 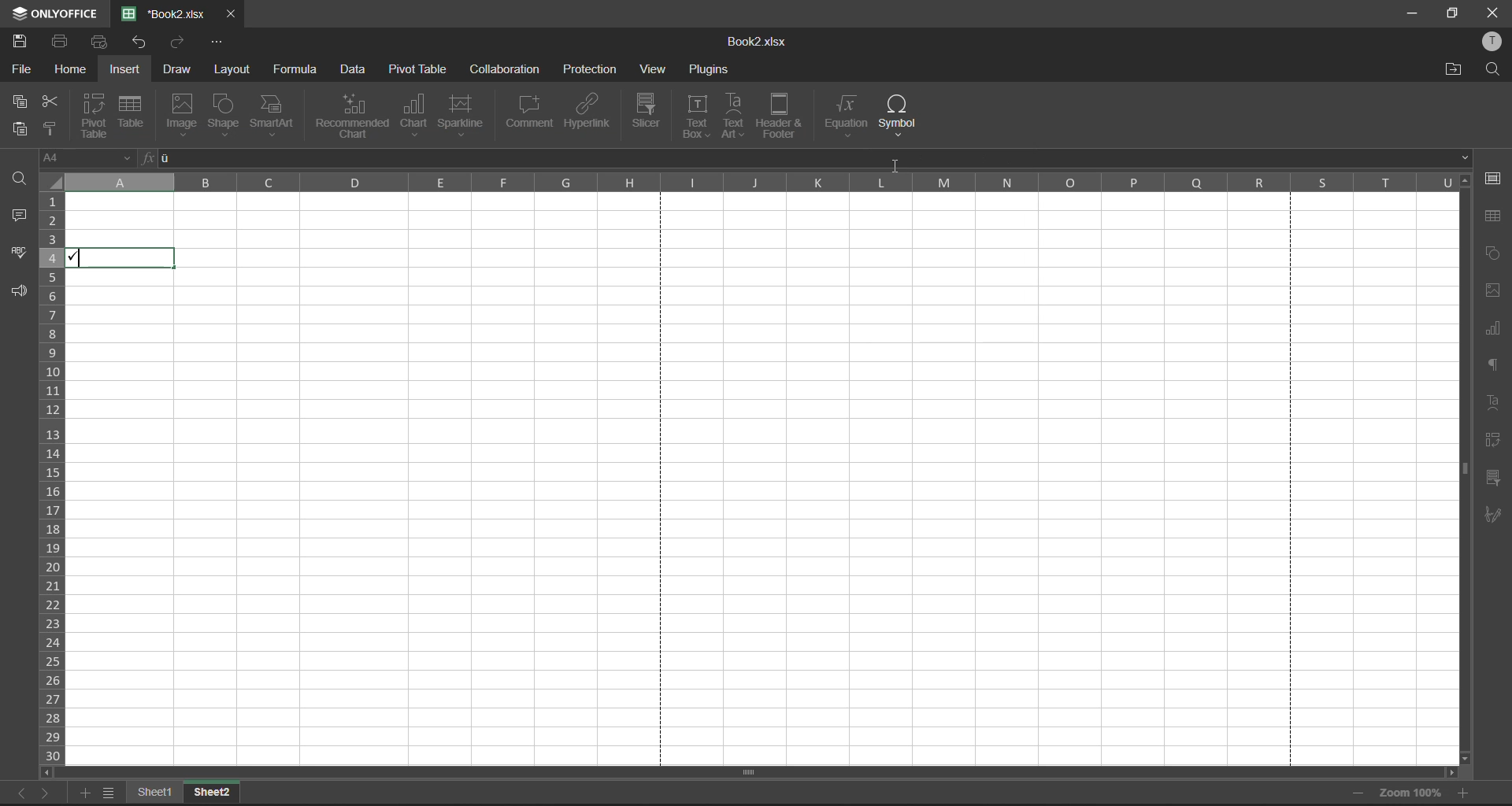 What do you see at coordinates (508, 68) in the screenshot?
I see `collaboration` at bounding box center [508, 68].